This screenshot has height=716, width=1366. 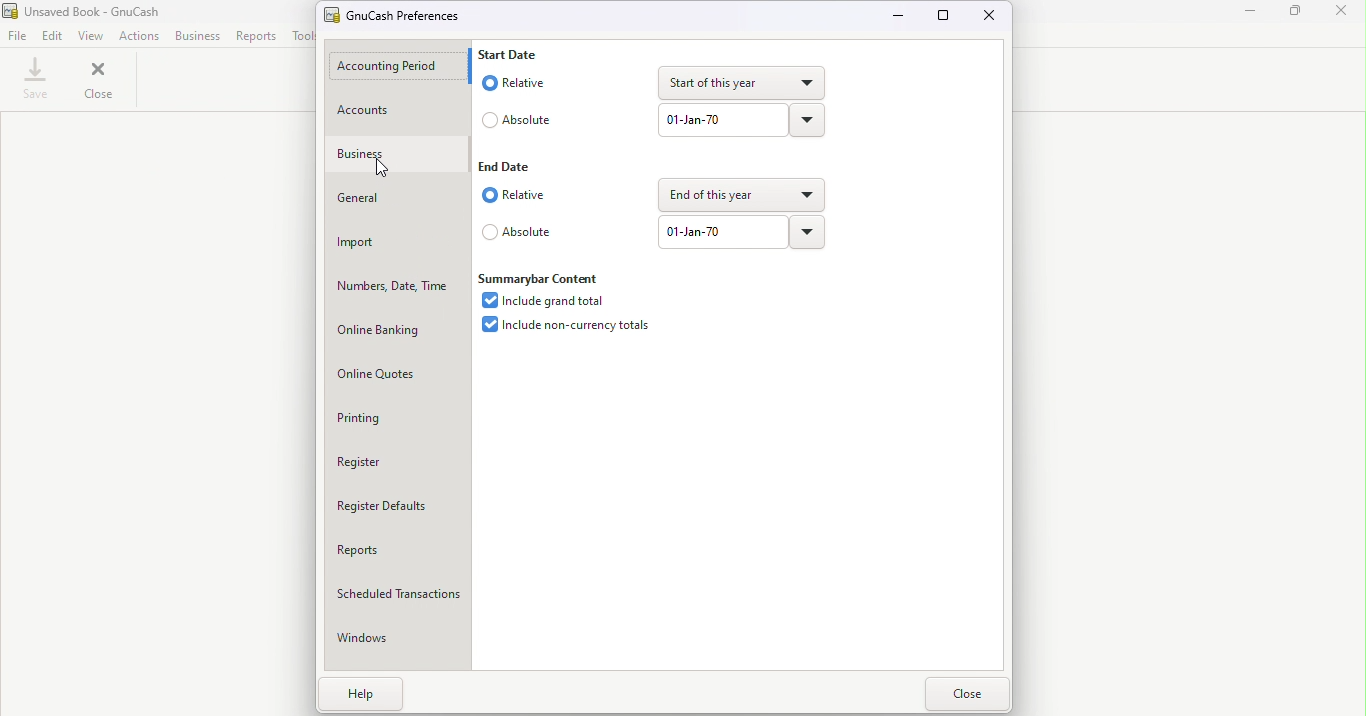 What do you see at coordinates (396, 329) in the screenshot?
I see `Online Banking` at bounding box center [396, 329].